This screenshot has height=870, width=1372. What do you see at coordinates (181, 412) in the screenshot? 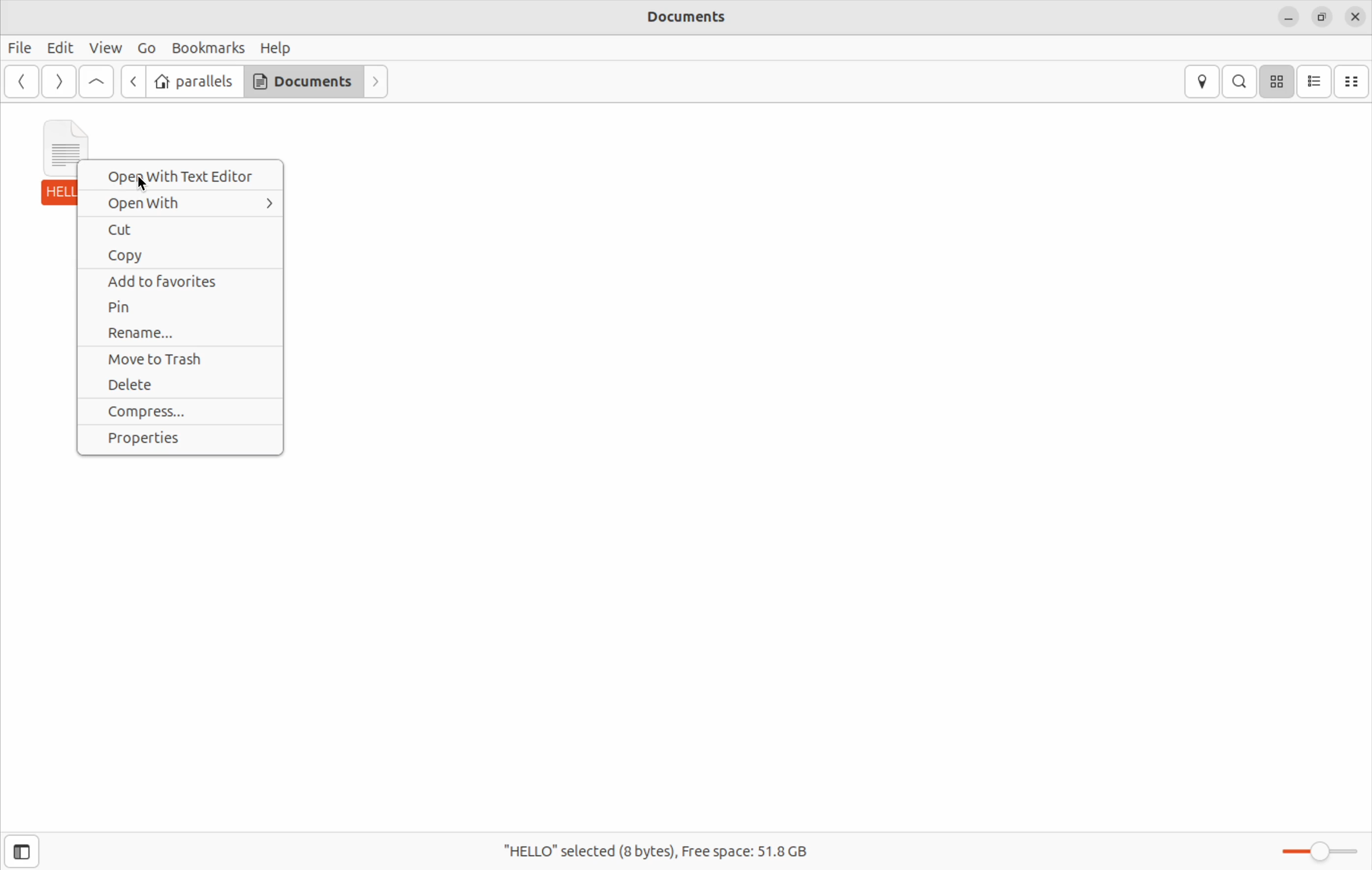
I see `Compress` at bounding box center [181, 412].